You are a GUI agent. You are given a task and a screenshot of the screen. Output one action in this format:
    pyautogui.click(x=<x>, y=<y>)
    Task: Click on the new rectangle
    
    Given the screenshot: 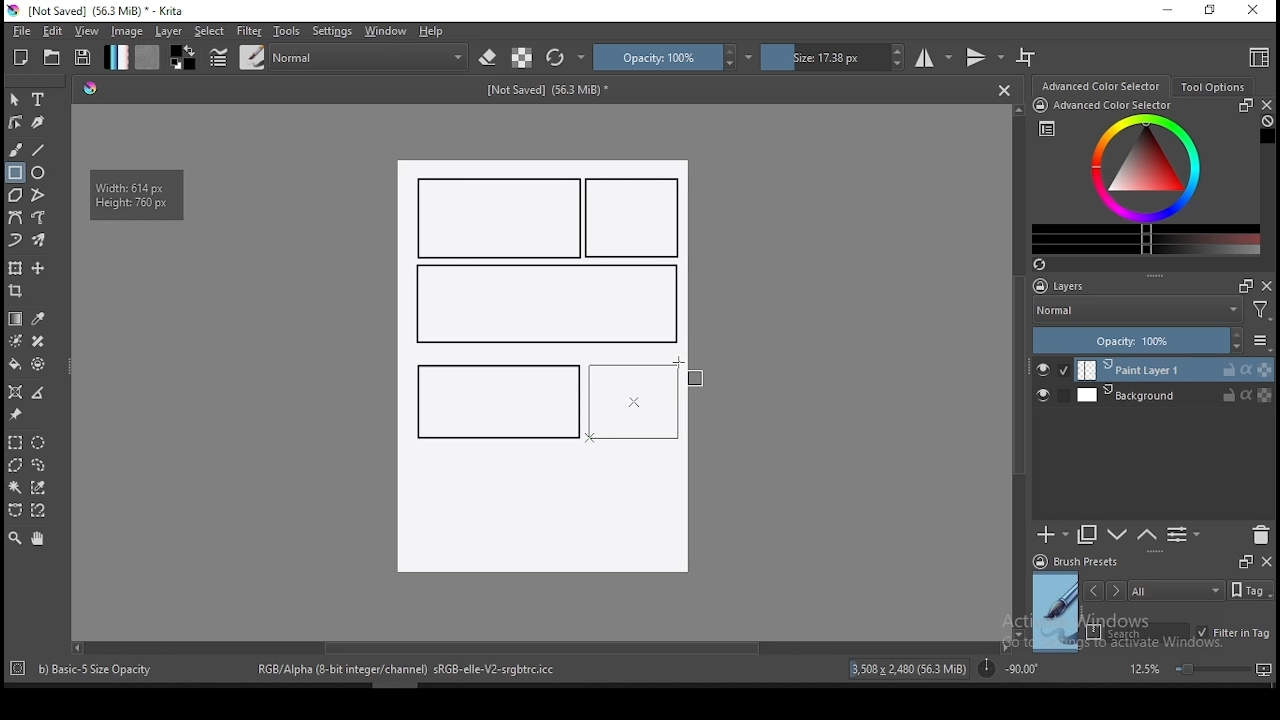 What is the action you would take?
    pyautogui.click(x=636, y=219)
    